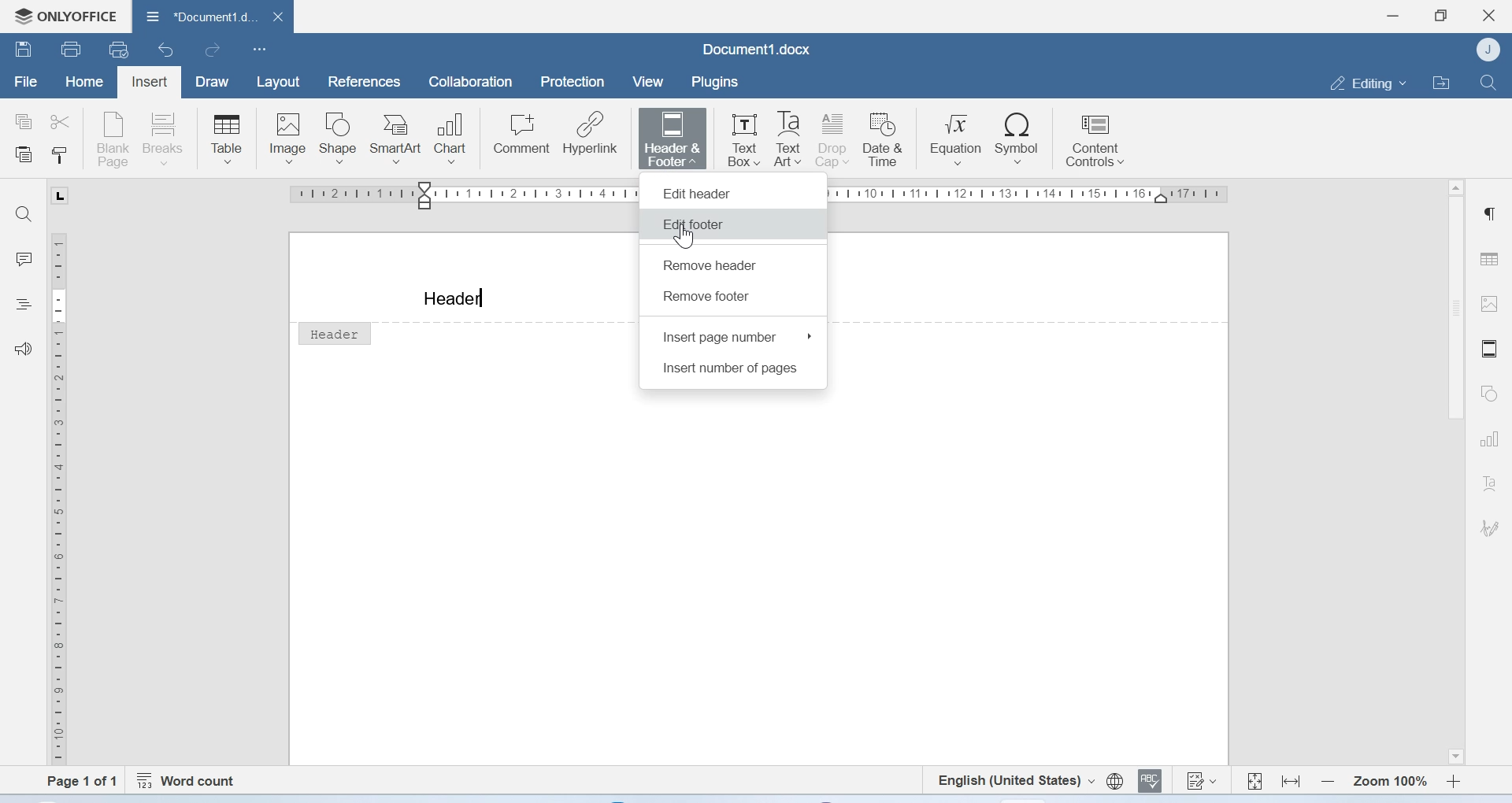 The height and width of the screenshot is (803, 1512). I want to click on Print file, so click(70, 48).